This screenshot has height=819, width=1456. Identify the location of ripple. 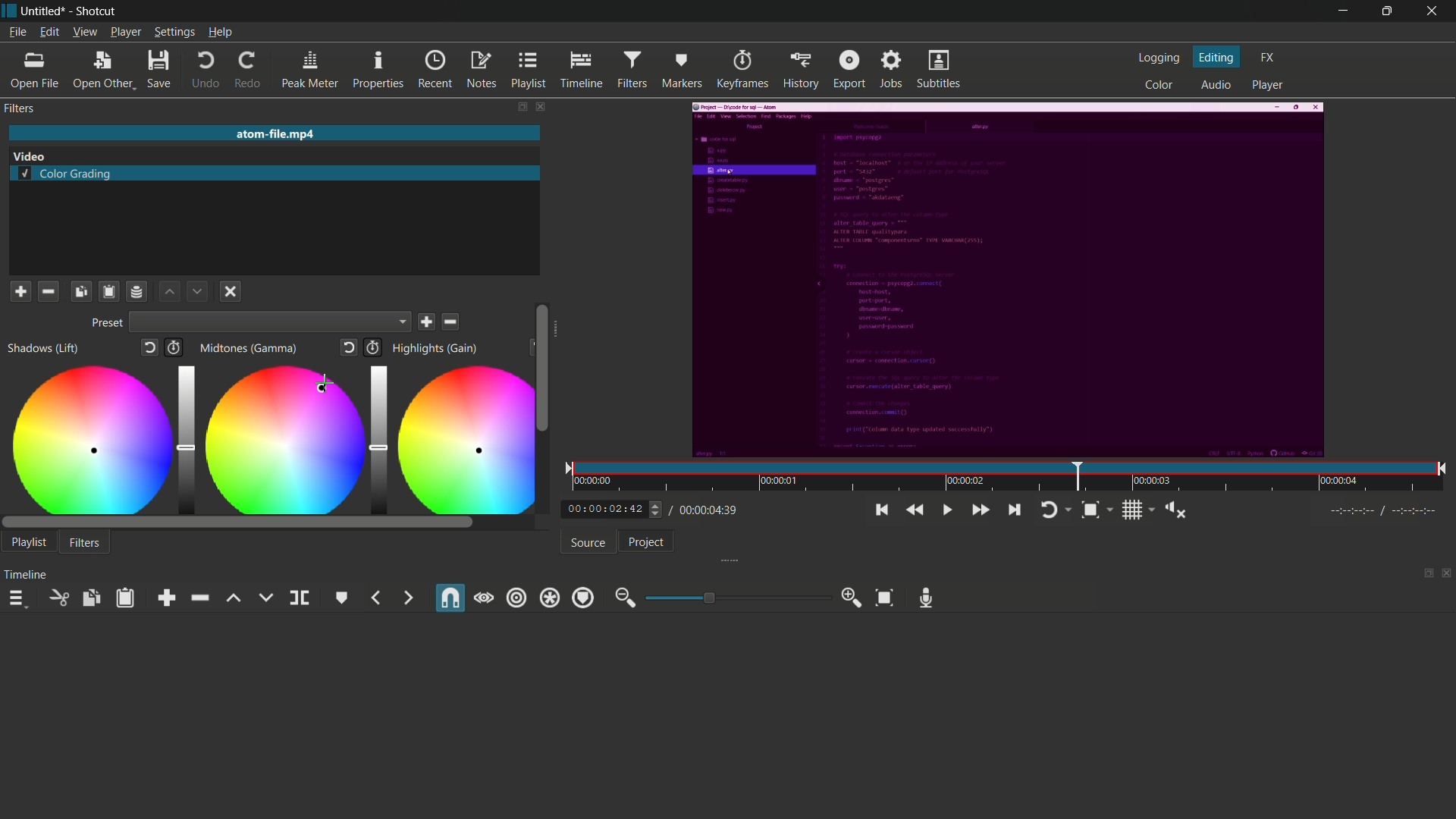
(516, 597).